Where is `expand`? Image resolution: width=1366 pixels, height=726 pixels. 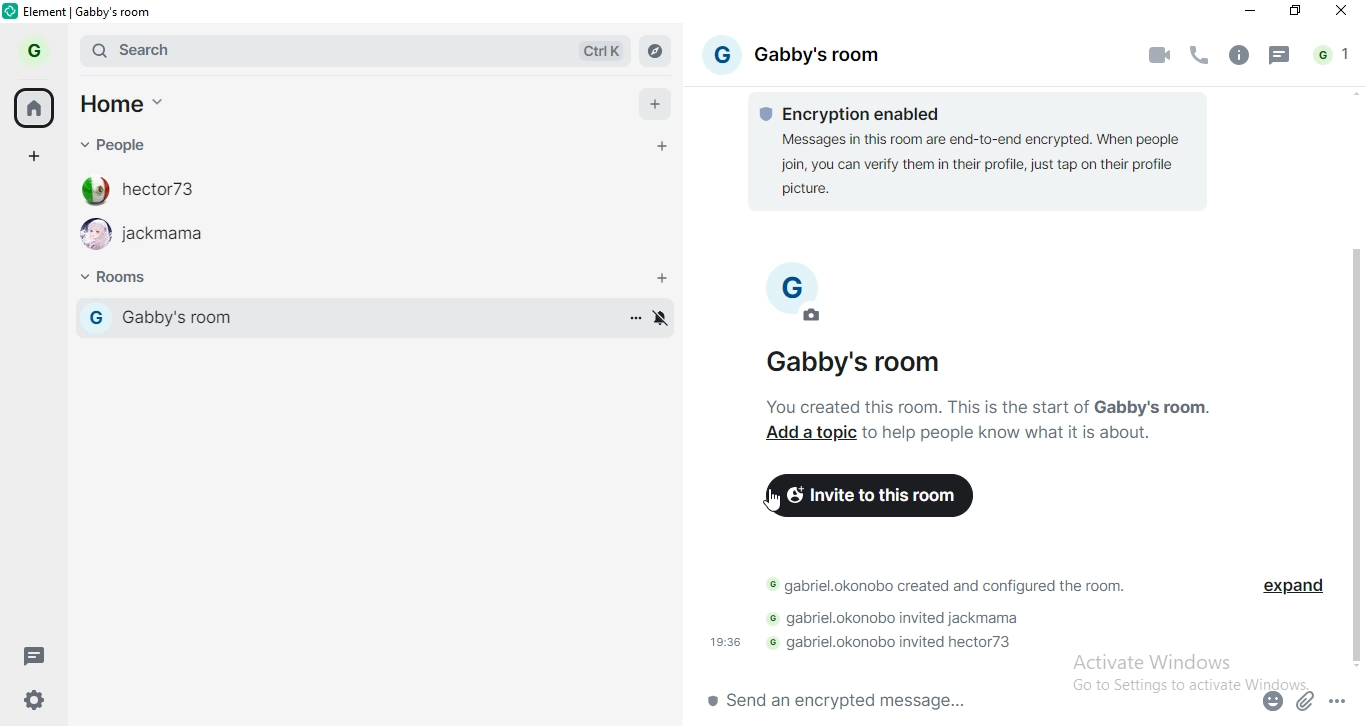 expand is located at coordinates (1292, 586).